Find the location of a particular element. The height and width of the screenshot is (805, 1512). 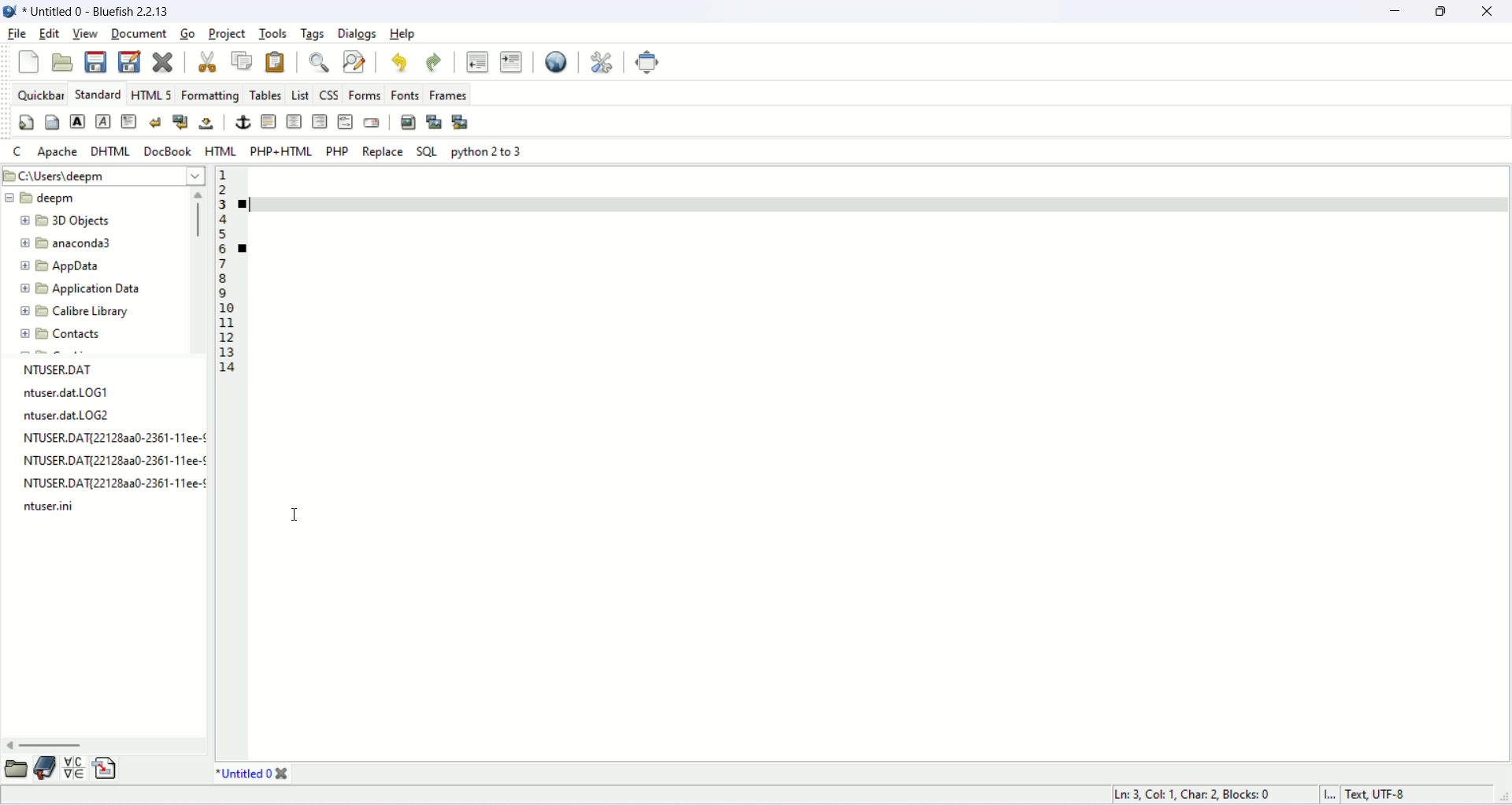

folder name is located at coordinates (75, 313).